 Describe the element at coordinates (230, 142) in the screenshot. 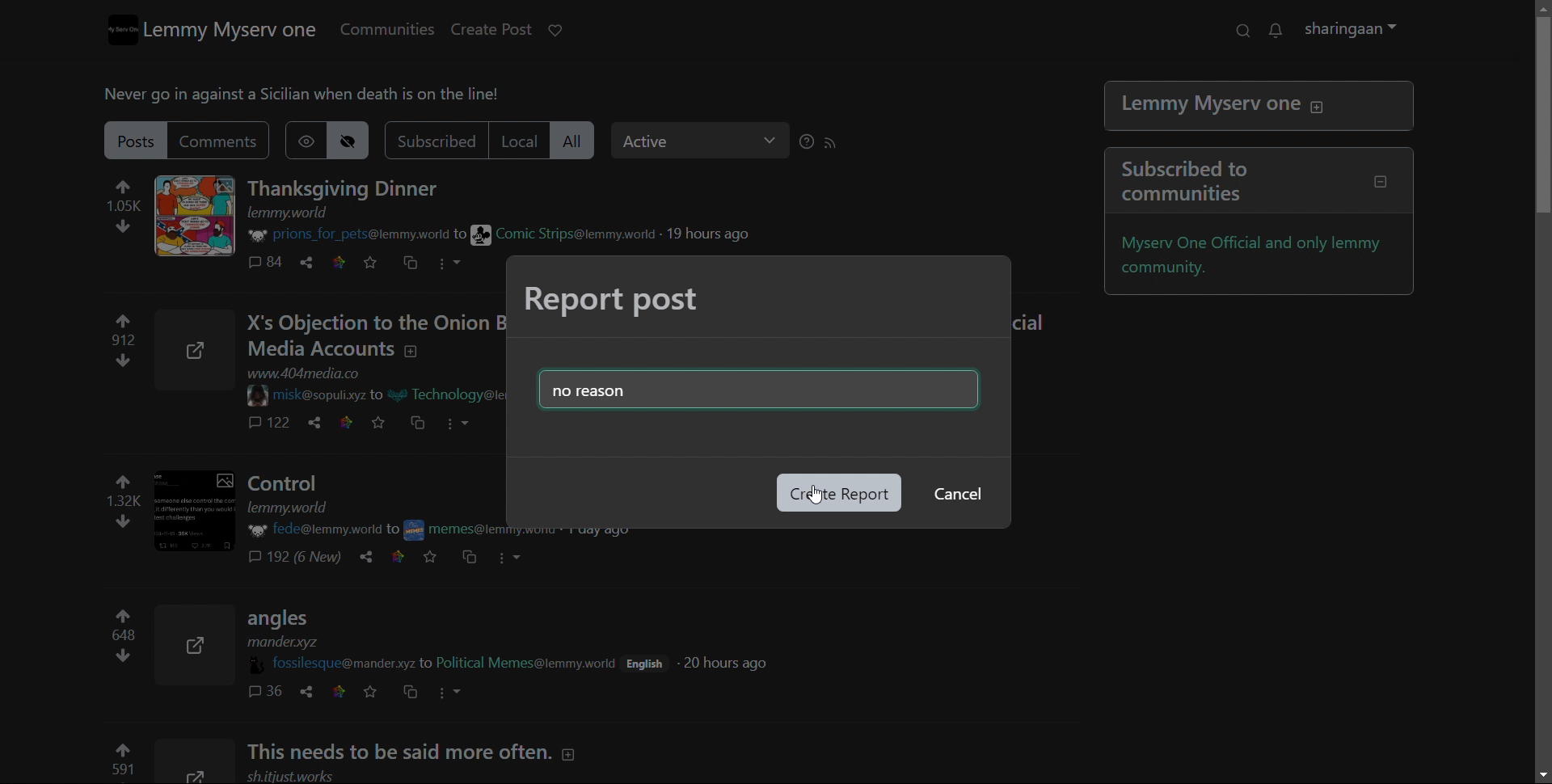

I see `comments` at that location.